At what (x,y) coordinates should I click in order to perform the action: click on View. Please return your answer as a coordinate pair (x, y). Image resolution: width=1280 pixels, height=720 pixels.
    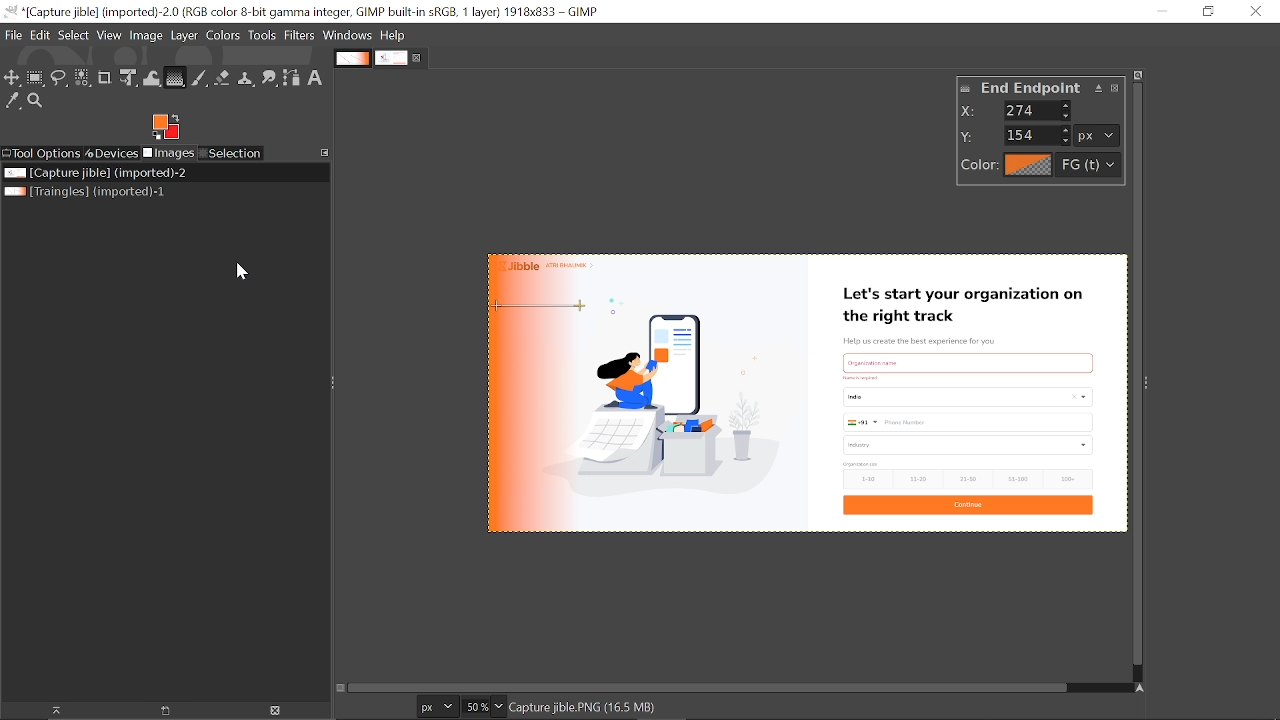
    Looking at the image, I should click on (110, 35).